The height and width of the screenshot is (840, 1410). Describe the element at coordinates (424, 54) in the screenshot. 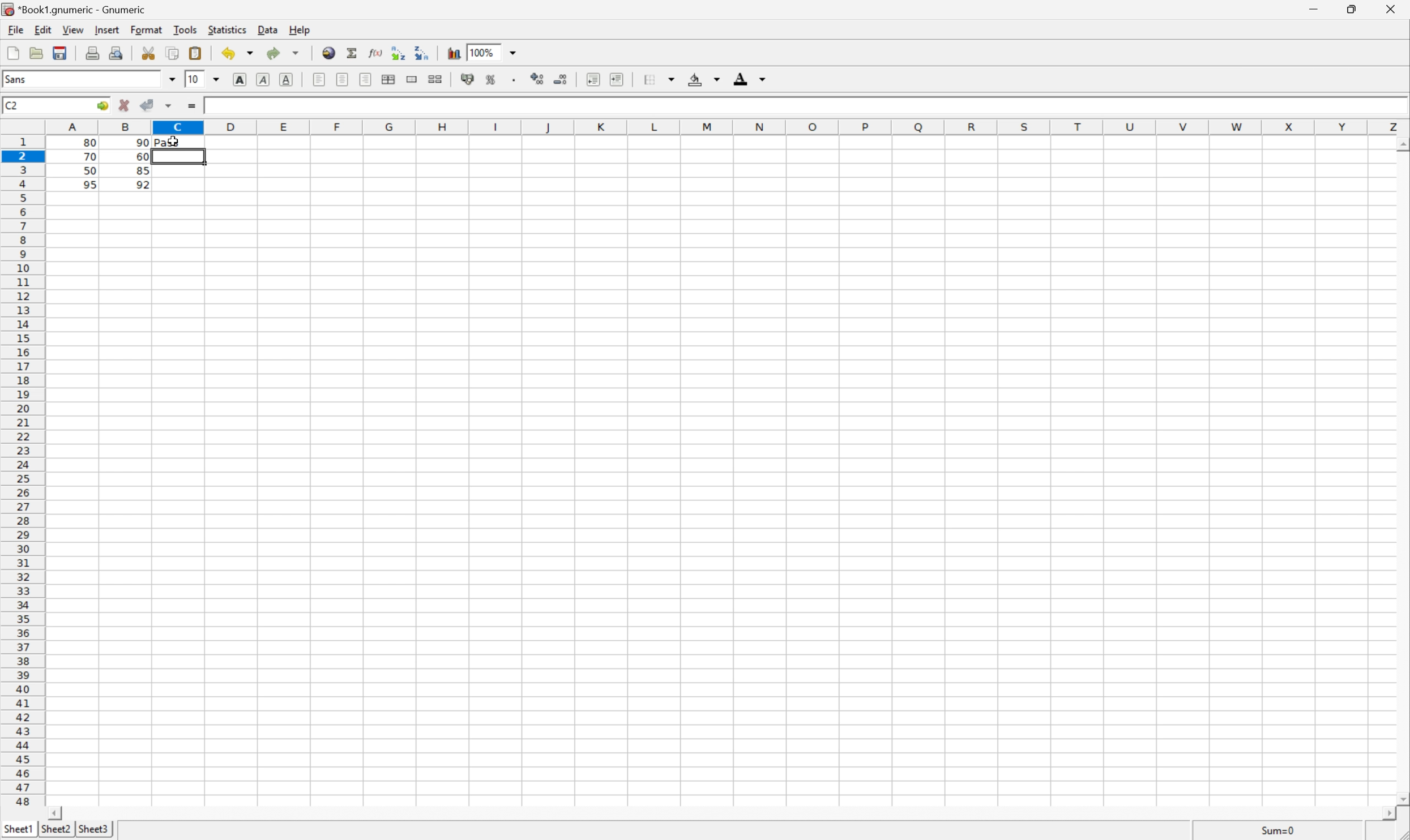

I see `Sort the selected region in descending order based on the first column selected` at that location.